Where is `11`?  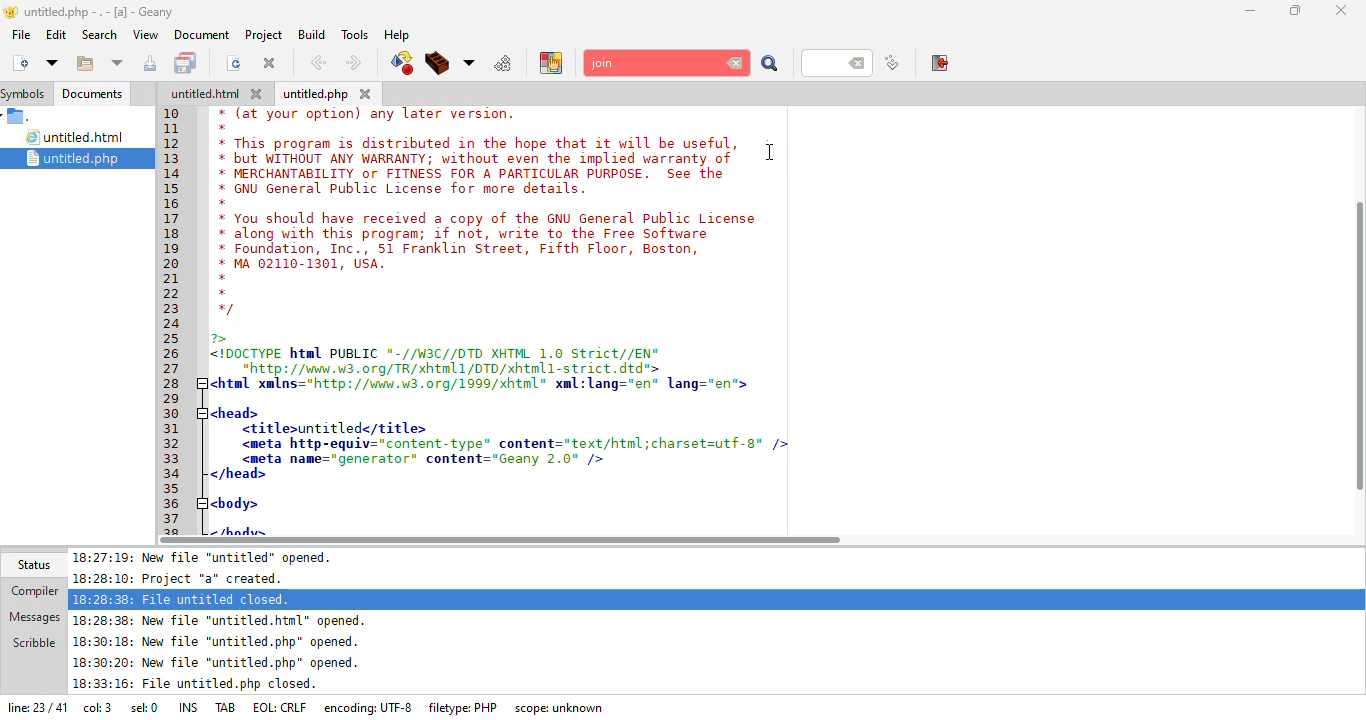
11 is located at coordinates (173, 131).